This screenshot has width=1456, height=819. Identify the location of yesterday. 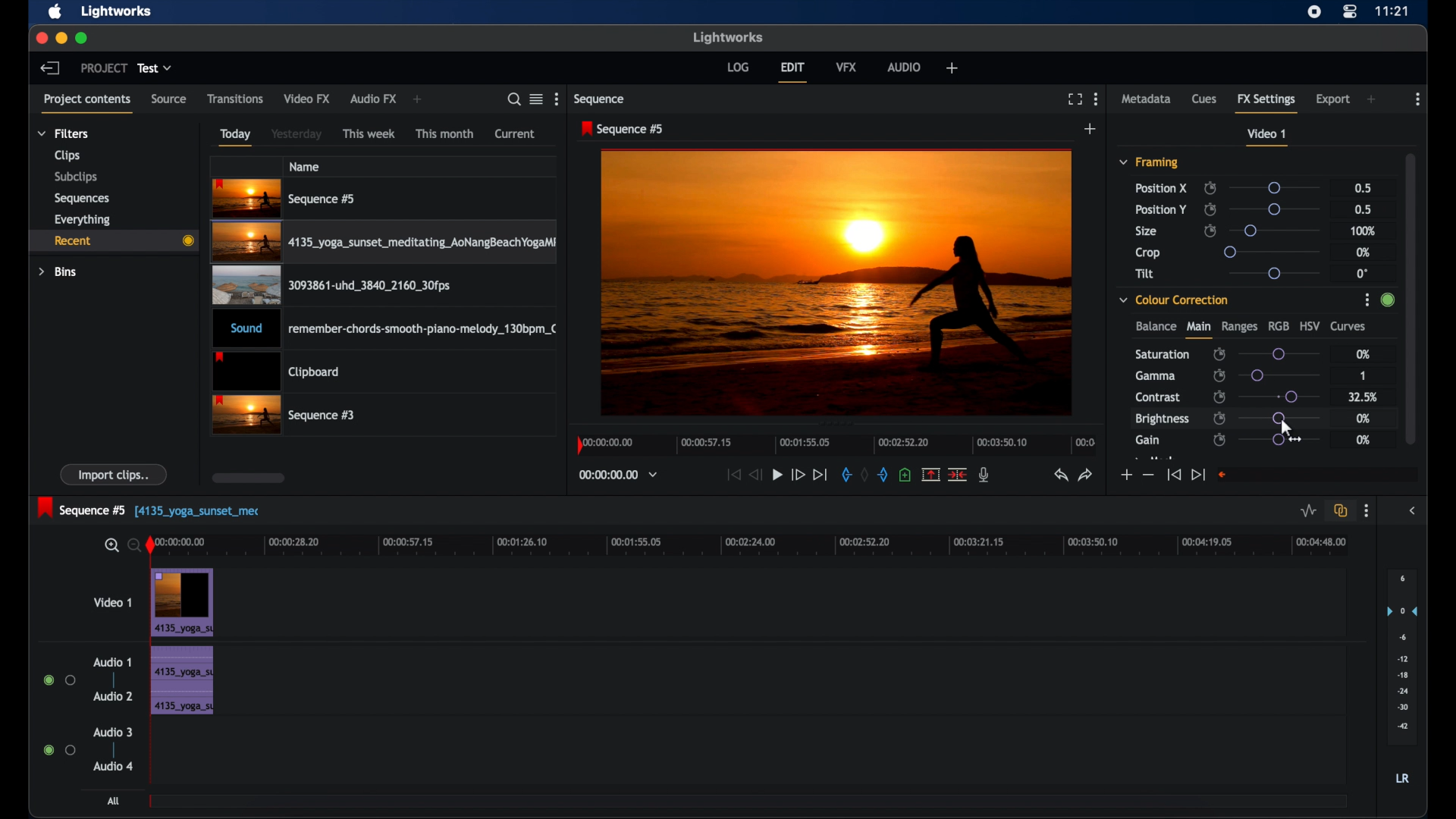
(297, 134).